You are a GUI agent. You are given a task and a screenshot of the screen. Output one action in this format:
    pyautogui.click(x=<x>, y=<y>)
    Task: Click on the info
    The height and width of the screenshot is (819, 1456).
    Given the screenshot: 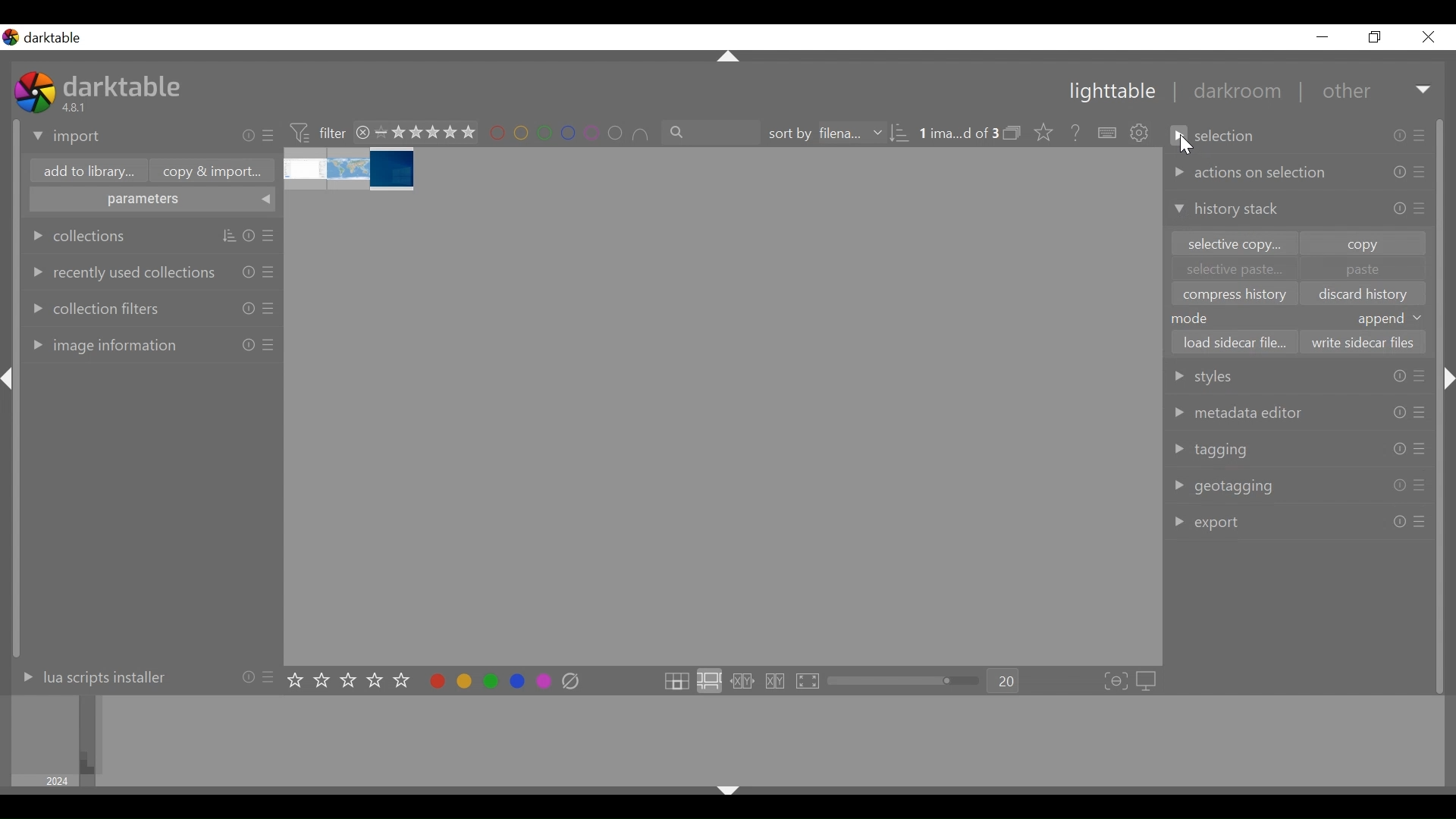 What is the action you would take?
    pyautogui.click(x=249, y=136)
    